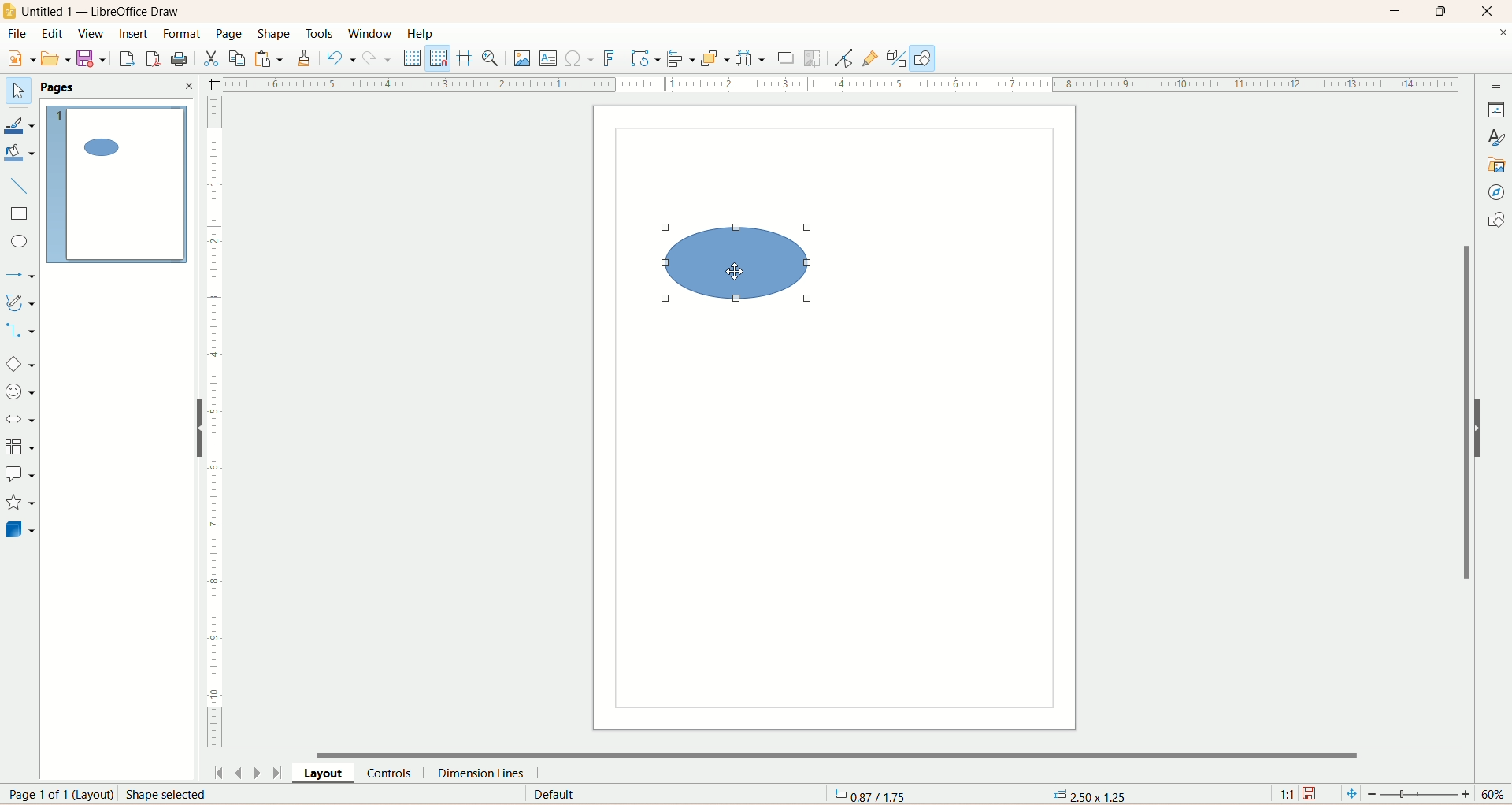 The width and height of the screenshot is (1512, 805). What do you see at coordinates (578, 59) in the screenshot?
I see `special character` at bounding box center [578, 59].